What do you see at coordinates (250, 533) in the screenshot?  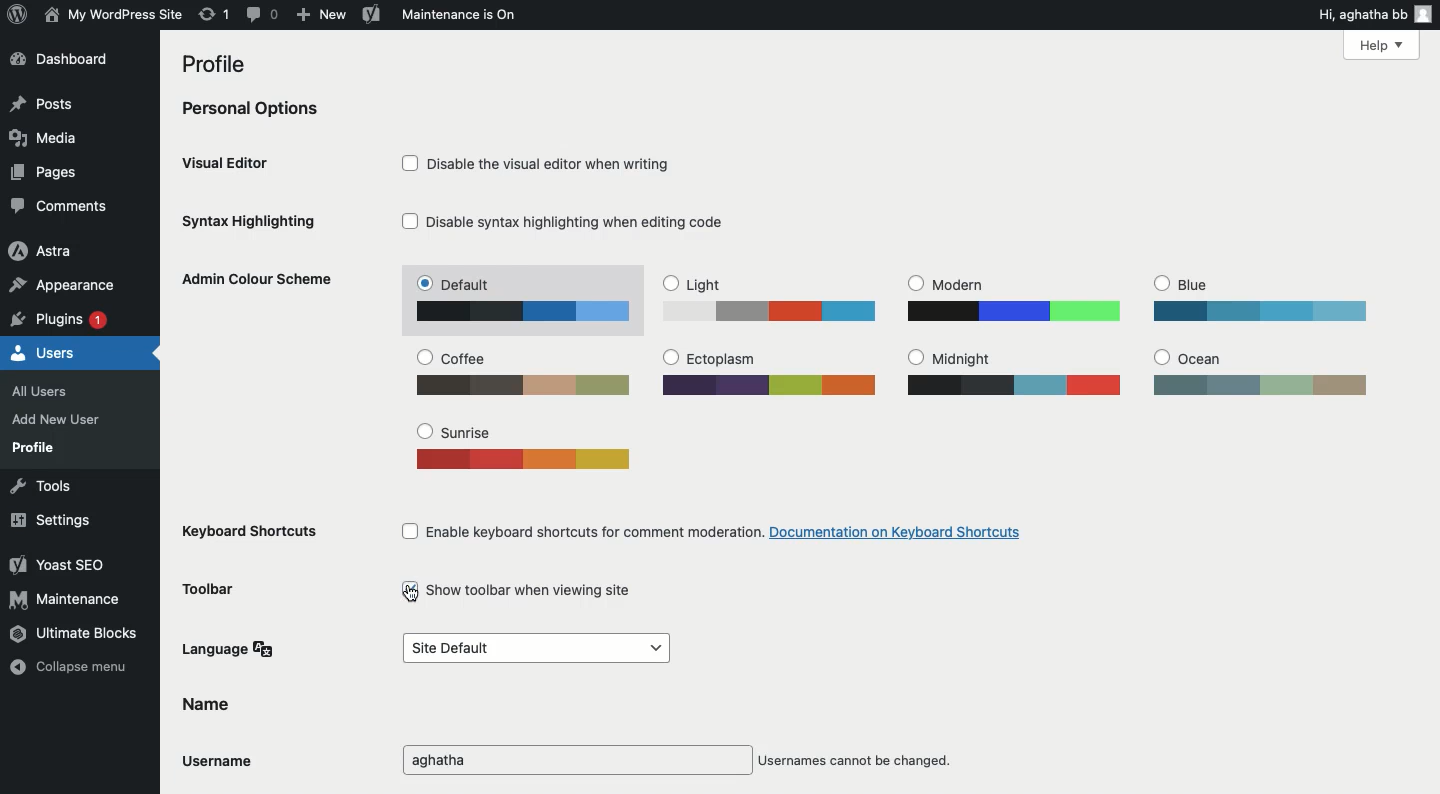 I see `Keyboard shortcuts` at bounding box center [250, 533].